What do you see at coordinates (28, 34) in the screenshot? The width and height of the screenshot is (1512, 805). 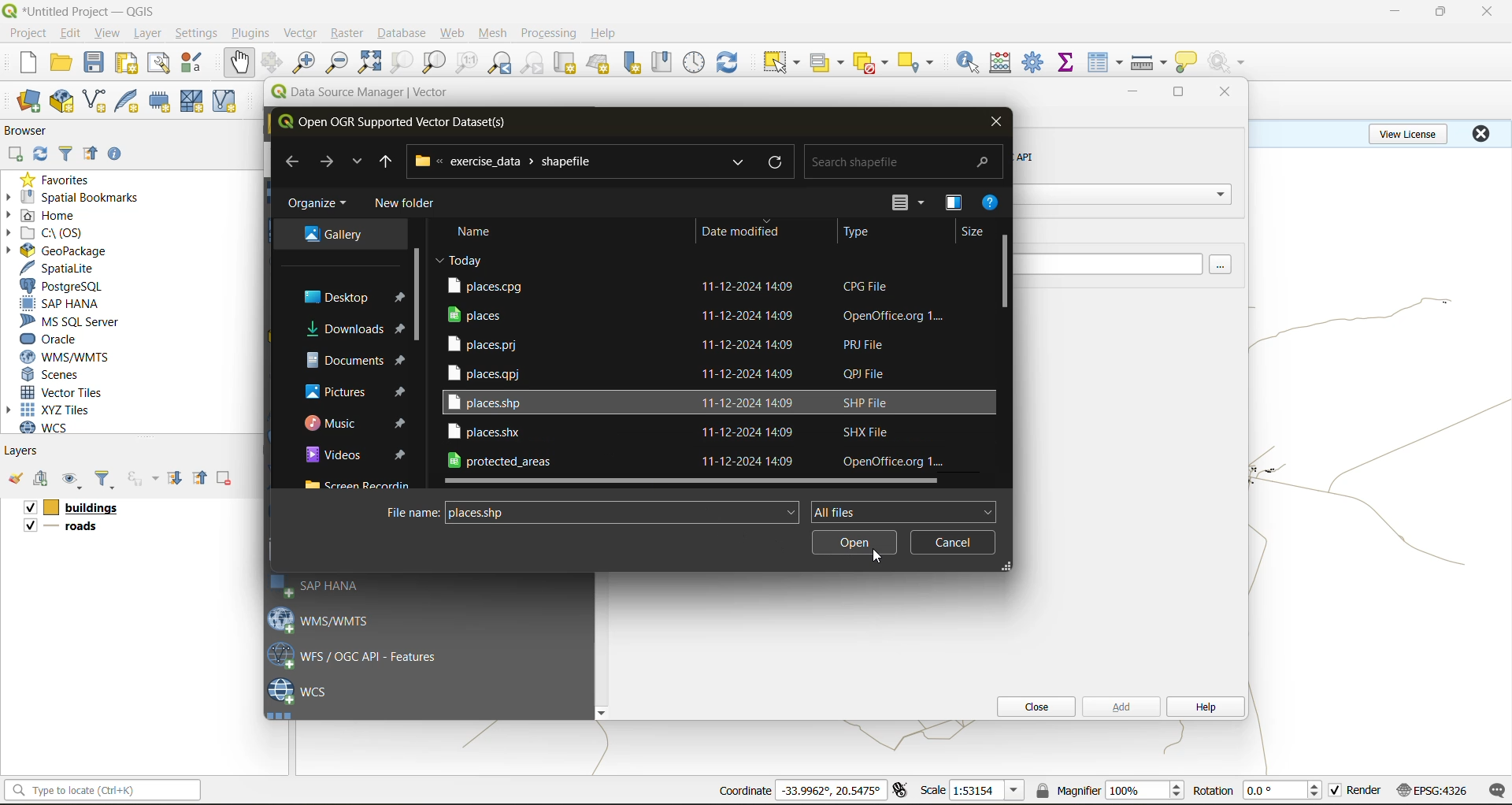 I see `project` at bounding box center [28, 34].